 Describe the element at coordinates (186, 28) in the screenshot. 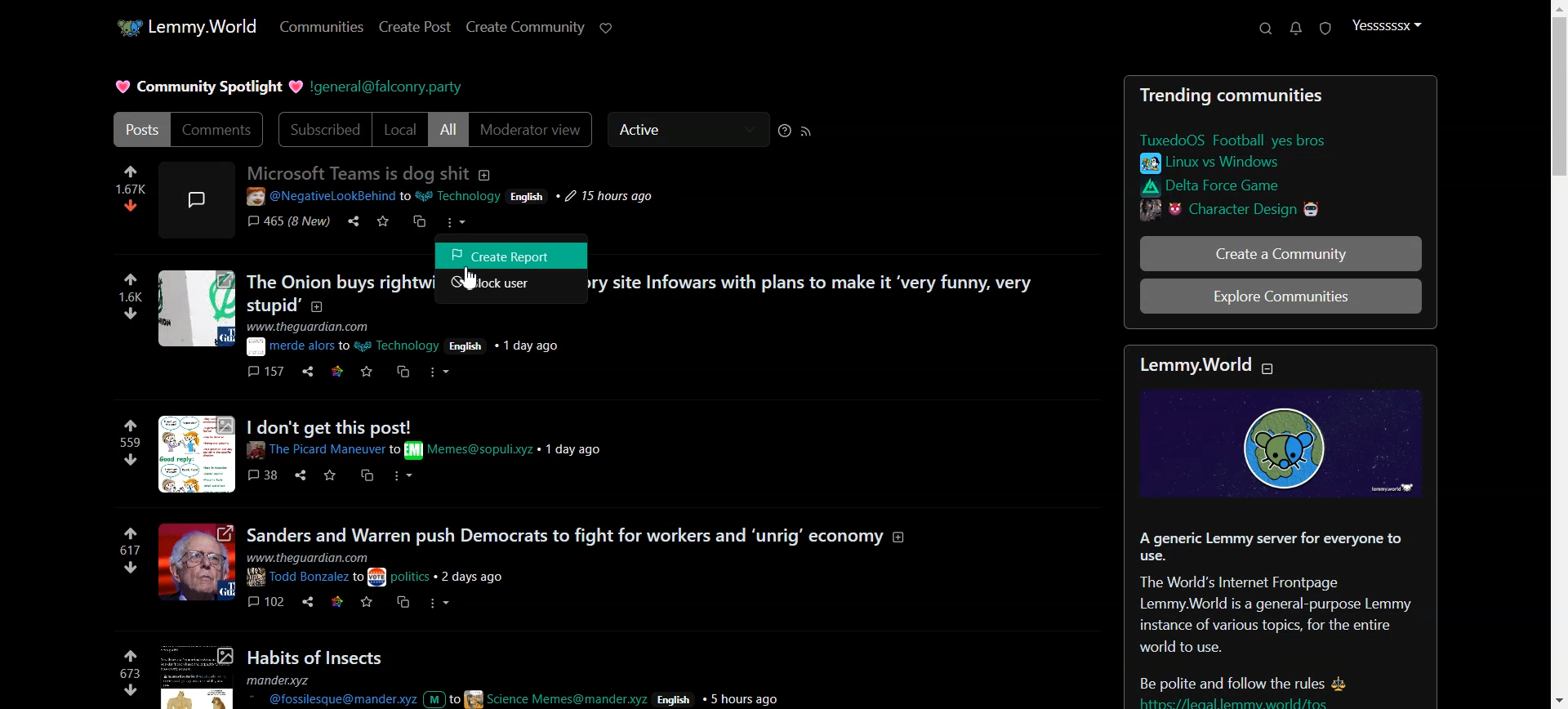

I see `Home Page` at that location.